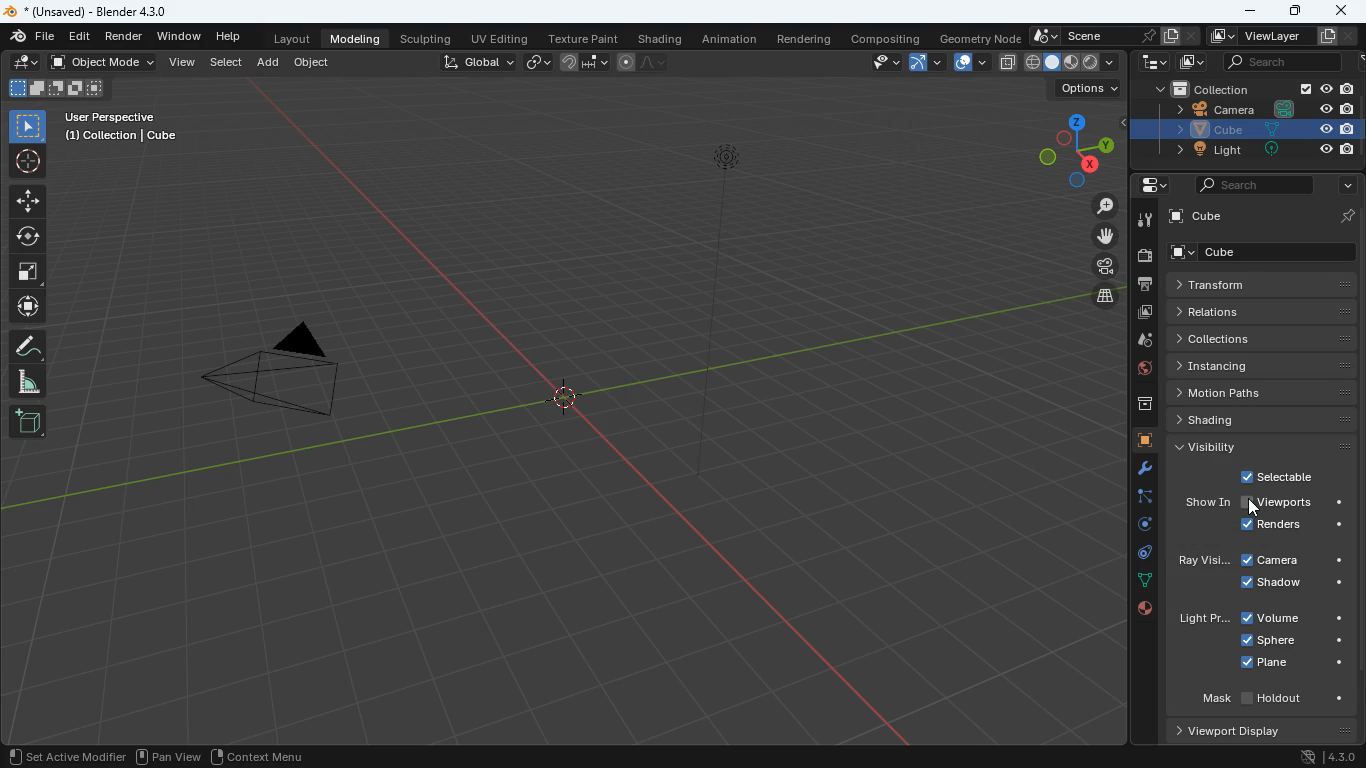 This screenshot has height=768, width=1366. What do you see at coordinates (742, 258) in the screenshot?
I see `light` at bounding box center [742, 258].